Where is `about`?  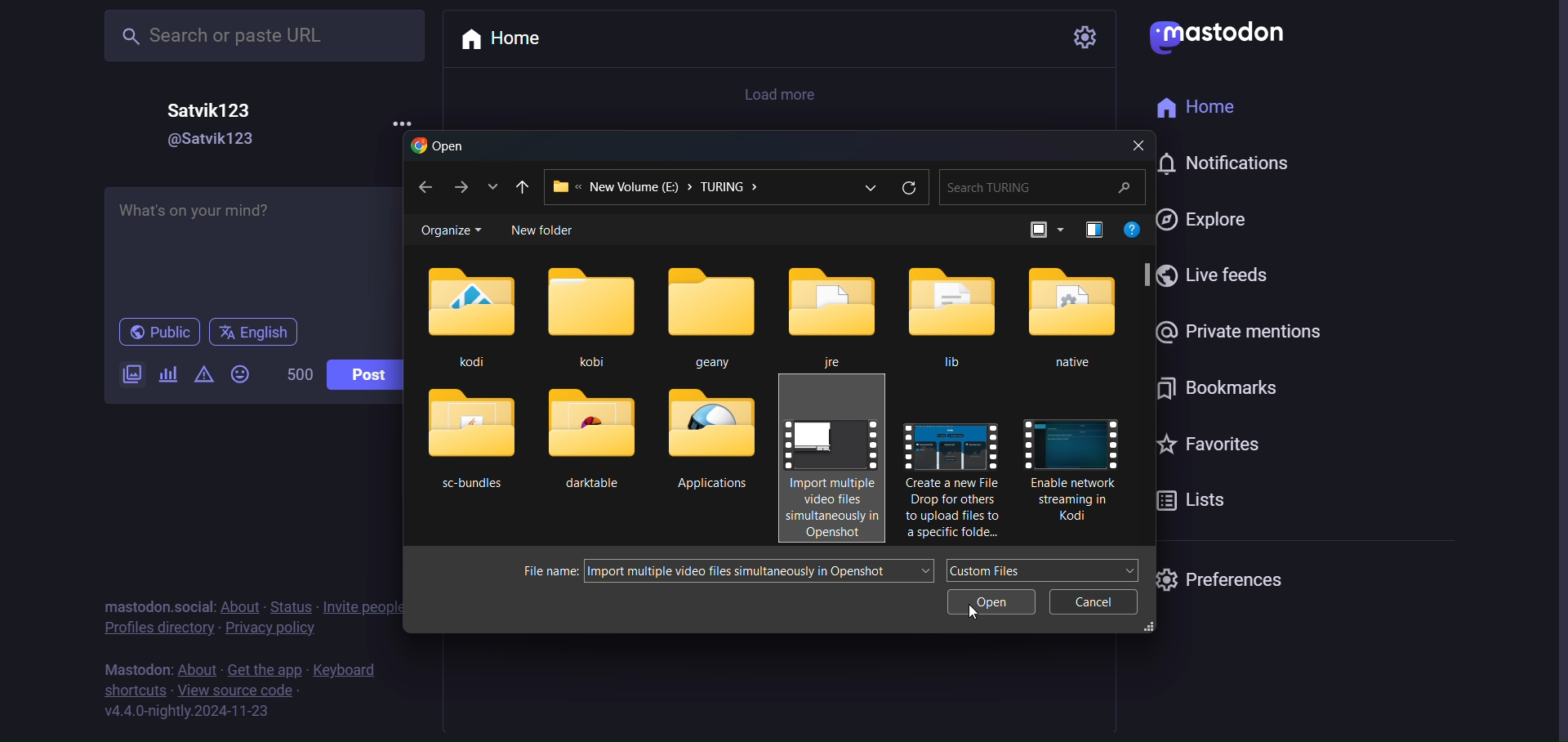
about is located at coordinates (196, 668).